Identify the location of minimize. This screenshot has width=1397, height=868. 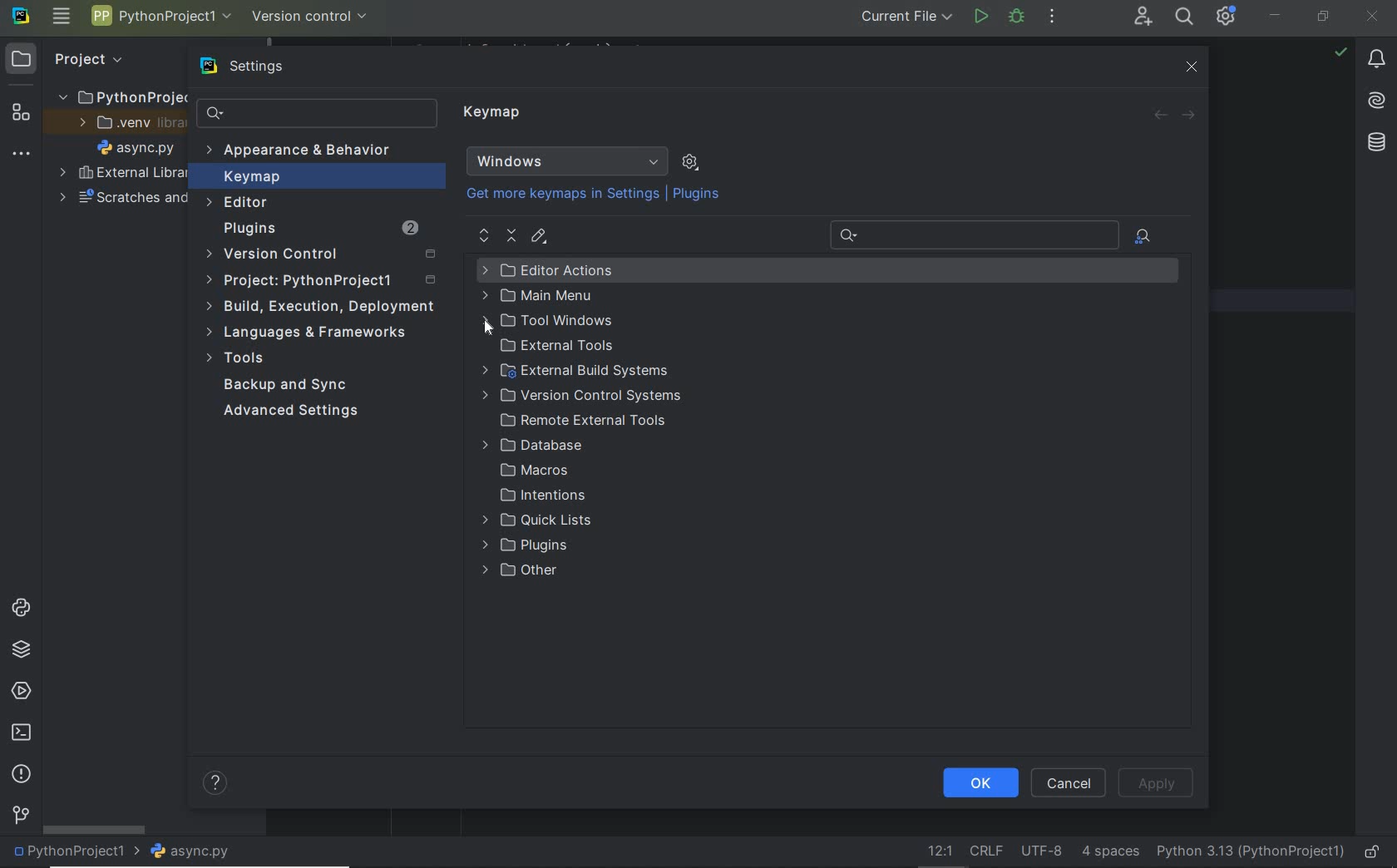
(1276, 15).